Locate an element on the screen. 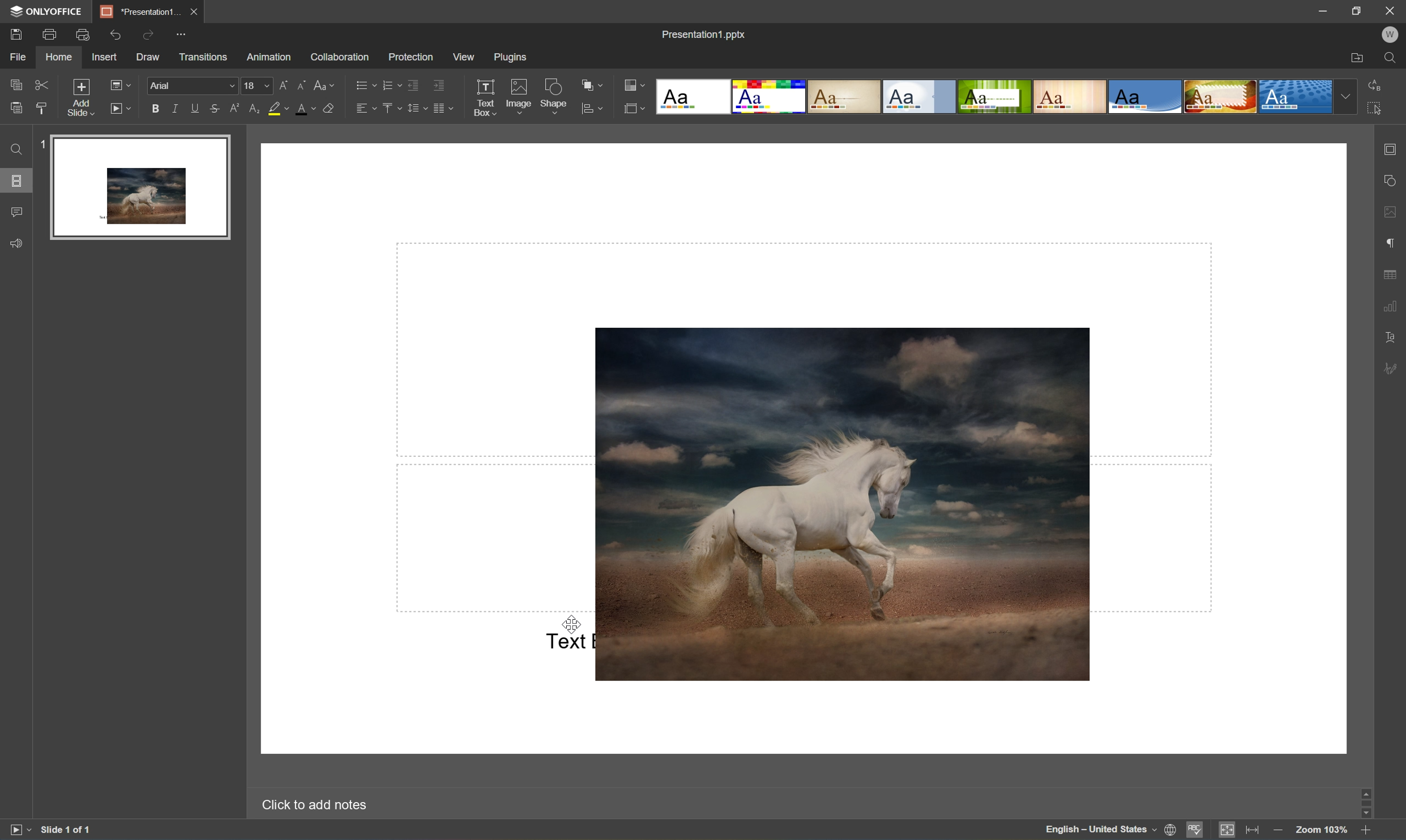 The image size is (1406, 840). Slides is located at coordinates (15, 181).